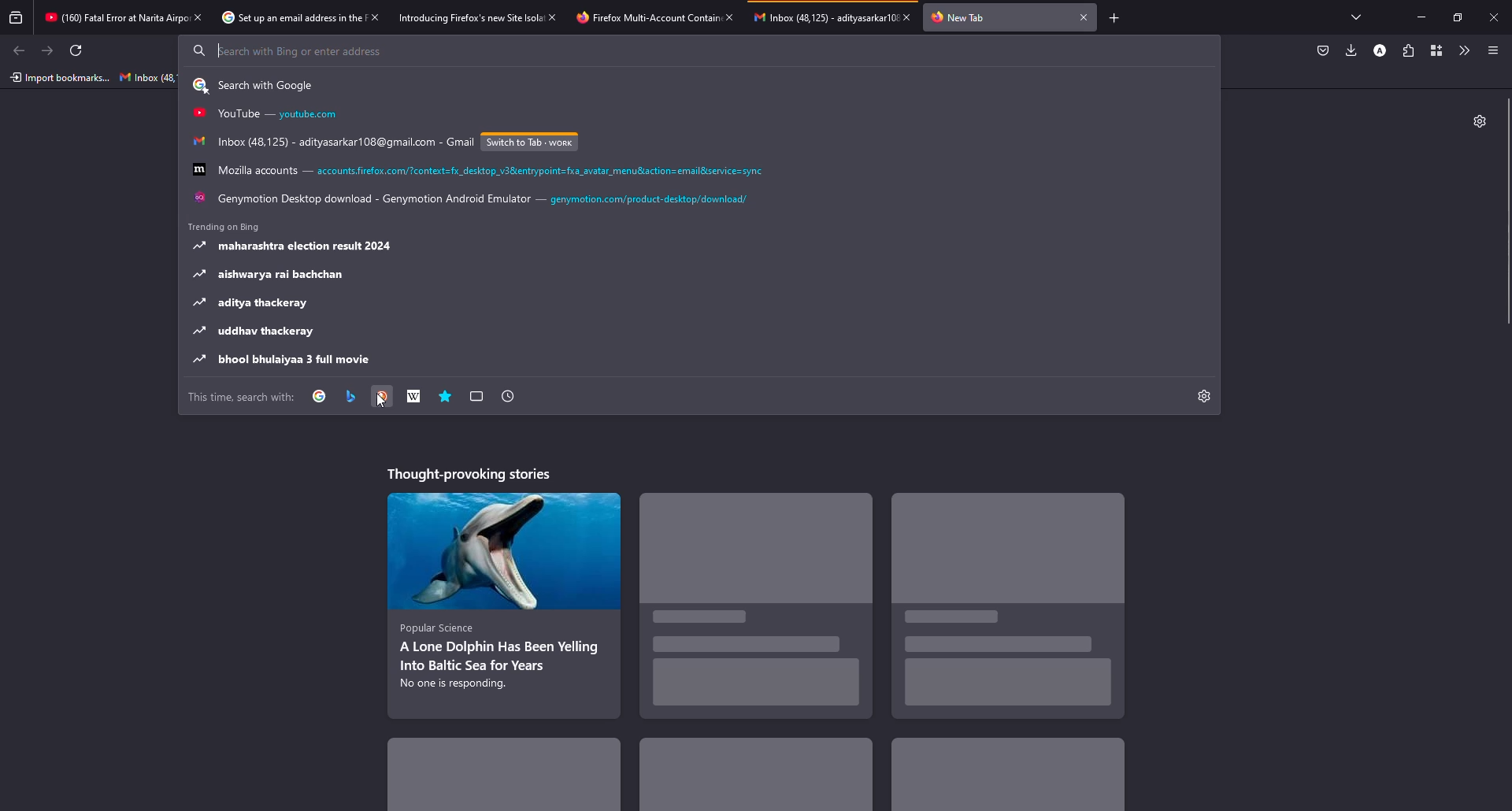 The image size is (1512, 811). Describe the element at coordinates (258, 86) in the screenshot. I see `search options` at that location.